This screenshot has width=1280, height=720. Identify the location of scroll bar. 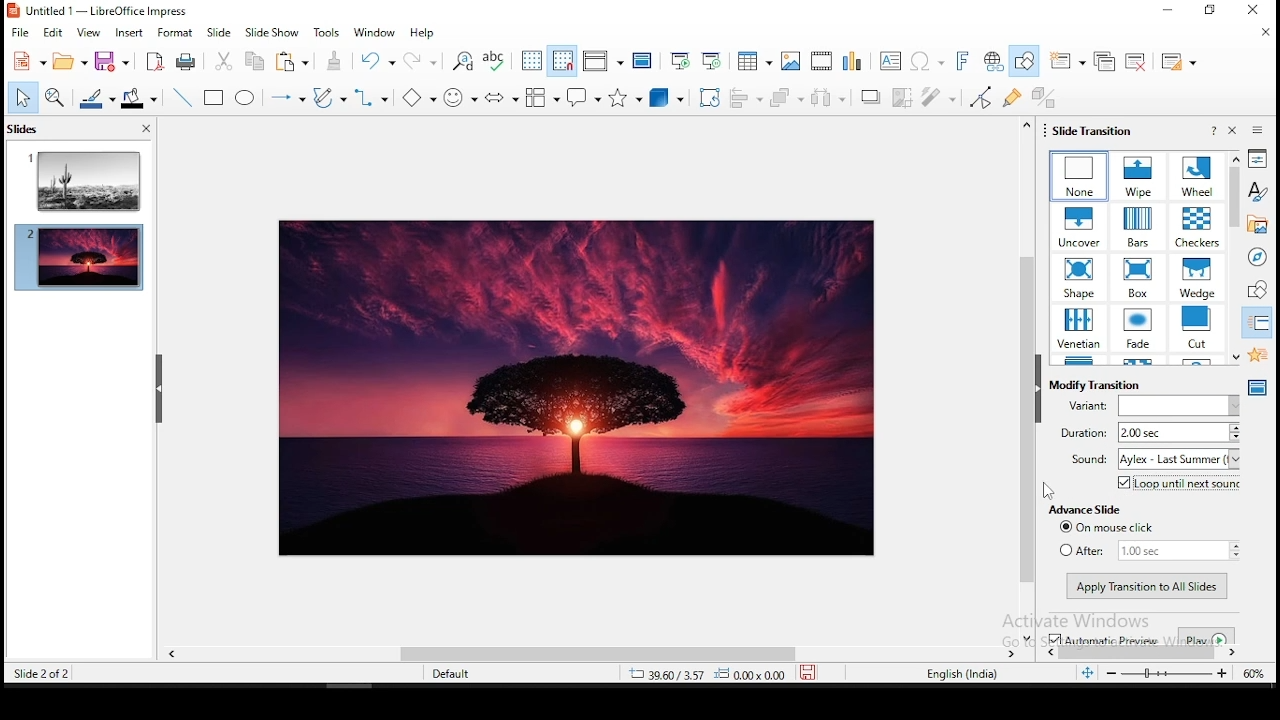
(589, 654).